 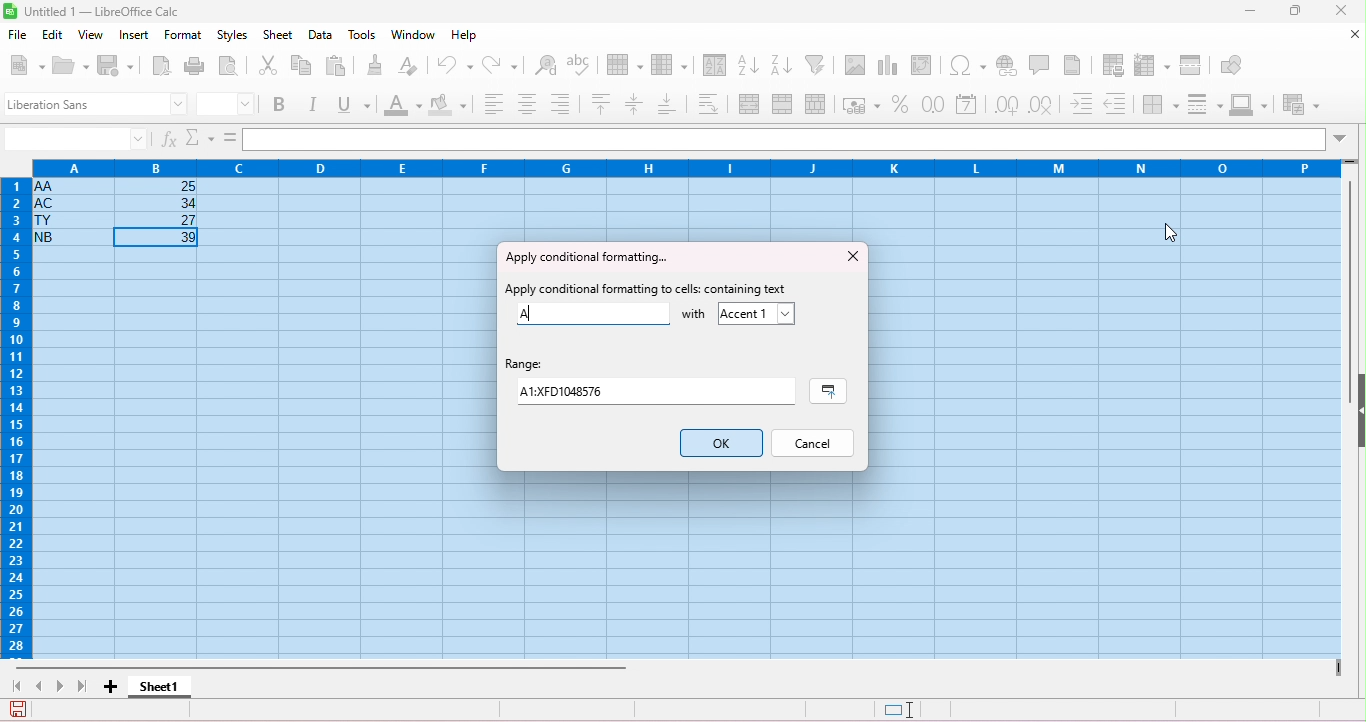 I want to click on header and footer, so click(x=1074, y=64).